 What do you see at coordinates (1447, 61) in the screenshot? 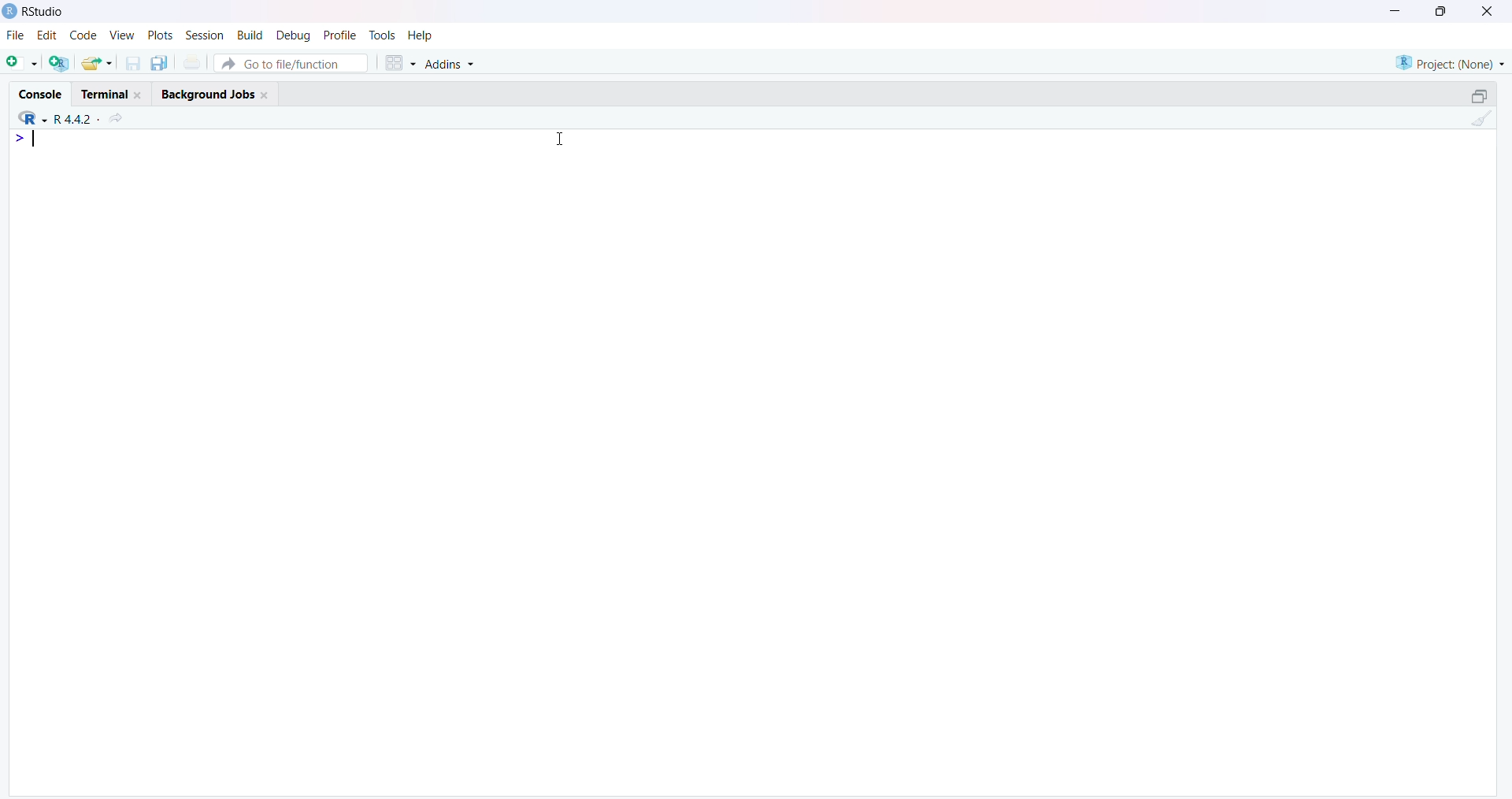
I see `Project (Note)` at bounding box center [1447, 61].